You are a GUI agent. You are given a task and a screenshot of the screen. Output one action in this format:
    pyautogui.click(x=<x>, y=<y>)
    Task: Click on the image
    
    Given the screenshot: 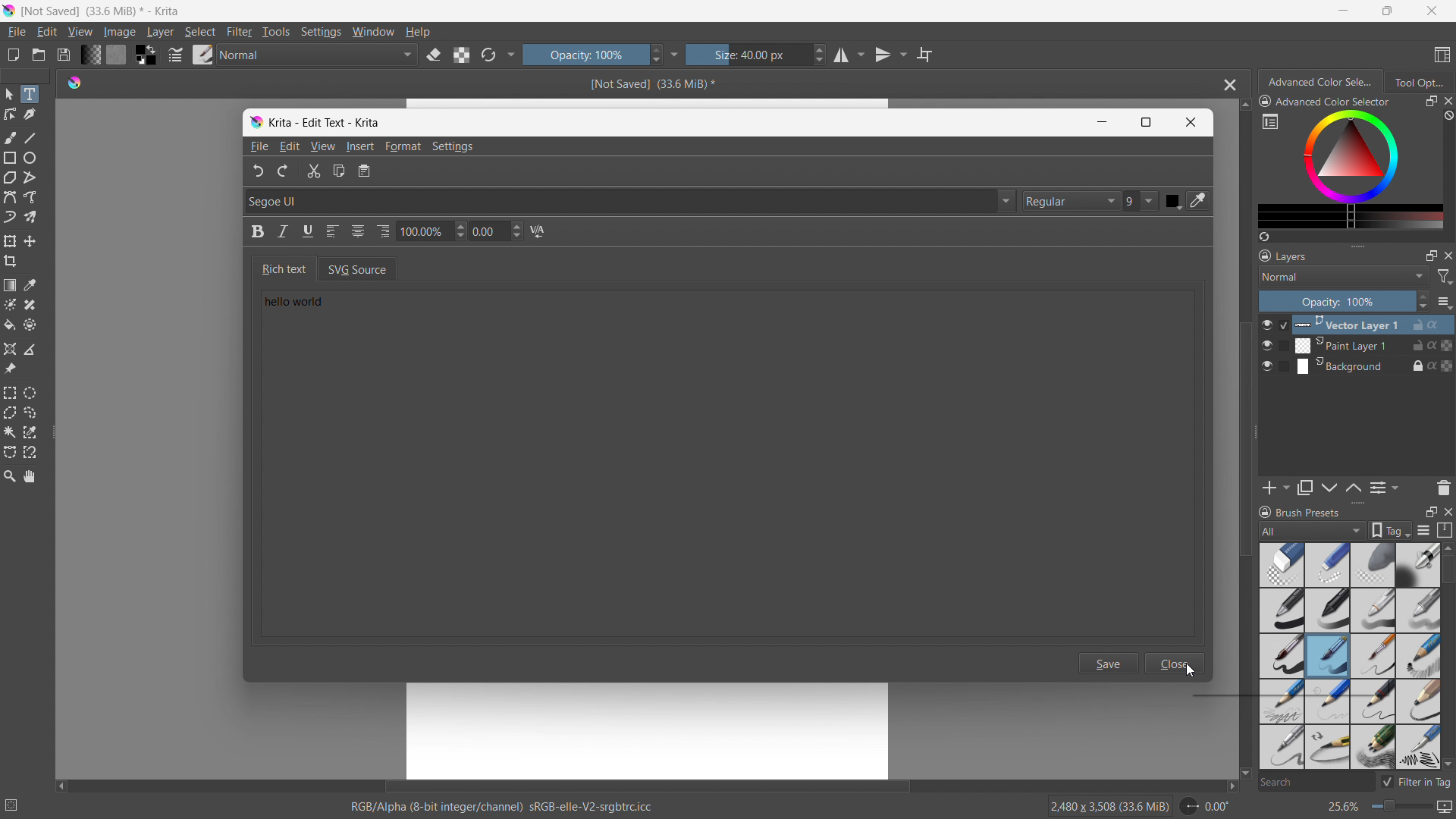 What is the action you would take?
    pyautogui.click(x=121, y=33)
    